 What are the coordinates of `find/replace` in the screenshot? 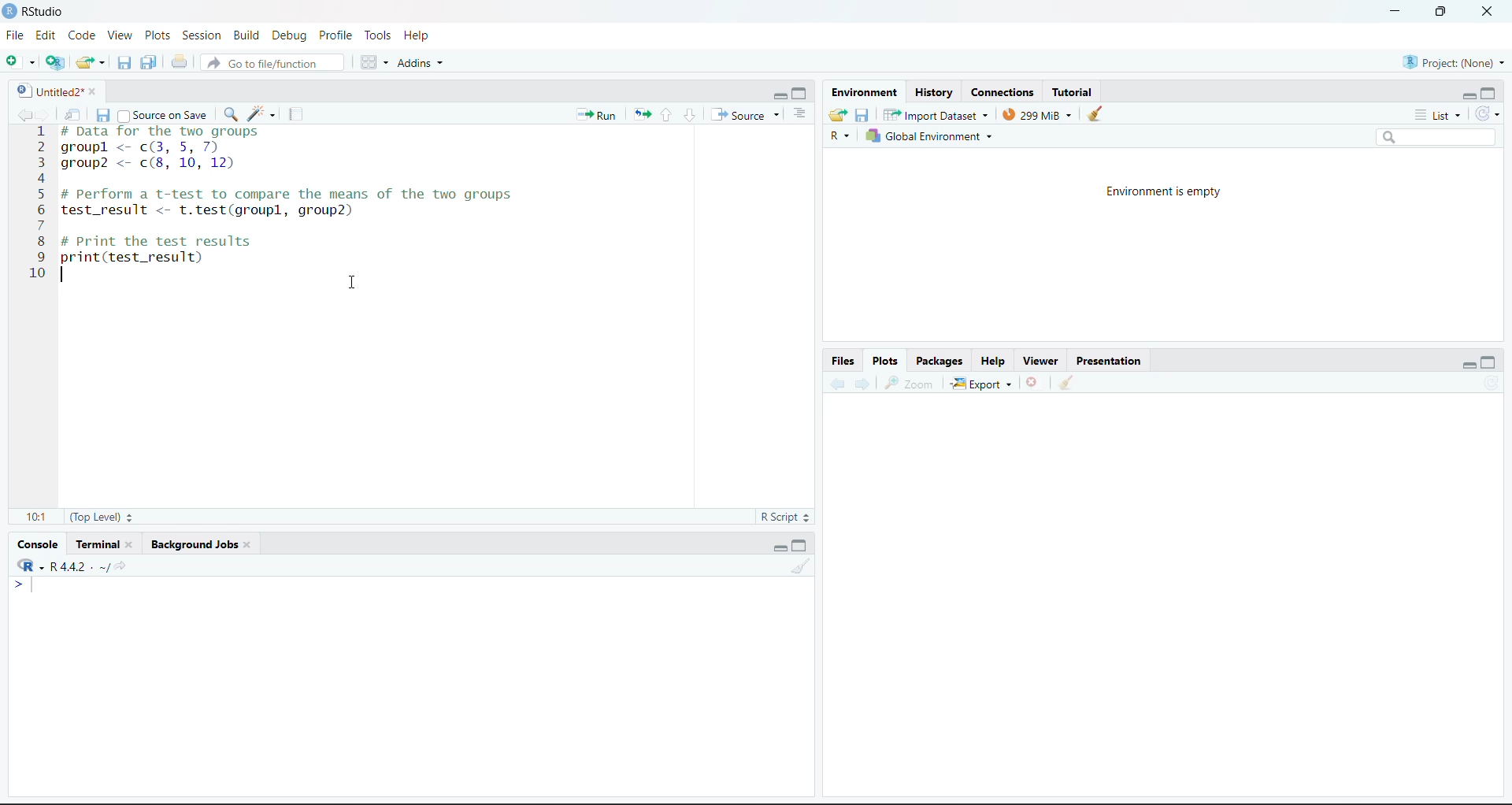 It's located at (232, 113).